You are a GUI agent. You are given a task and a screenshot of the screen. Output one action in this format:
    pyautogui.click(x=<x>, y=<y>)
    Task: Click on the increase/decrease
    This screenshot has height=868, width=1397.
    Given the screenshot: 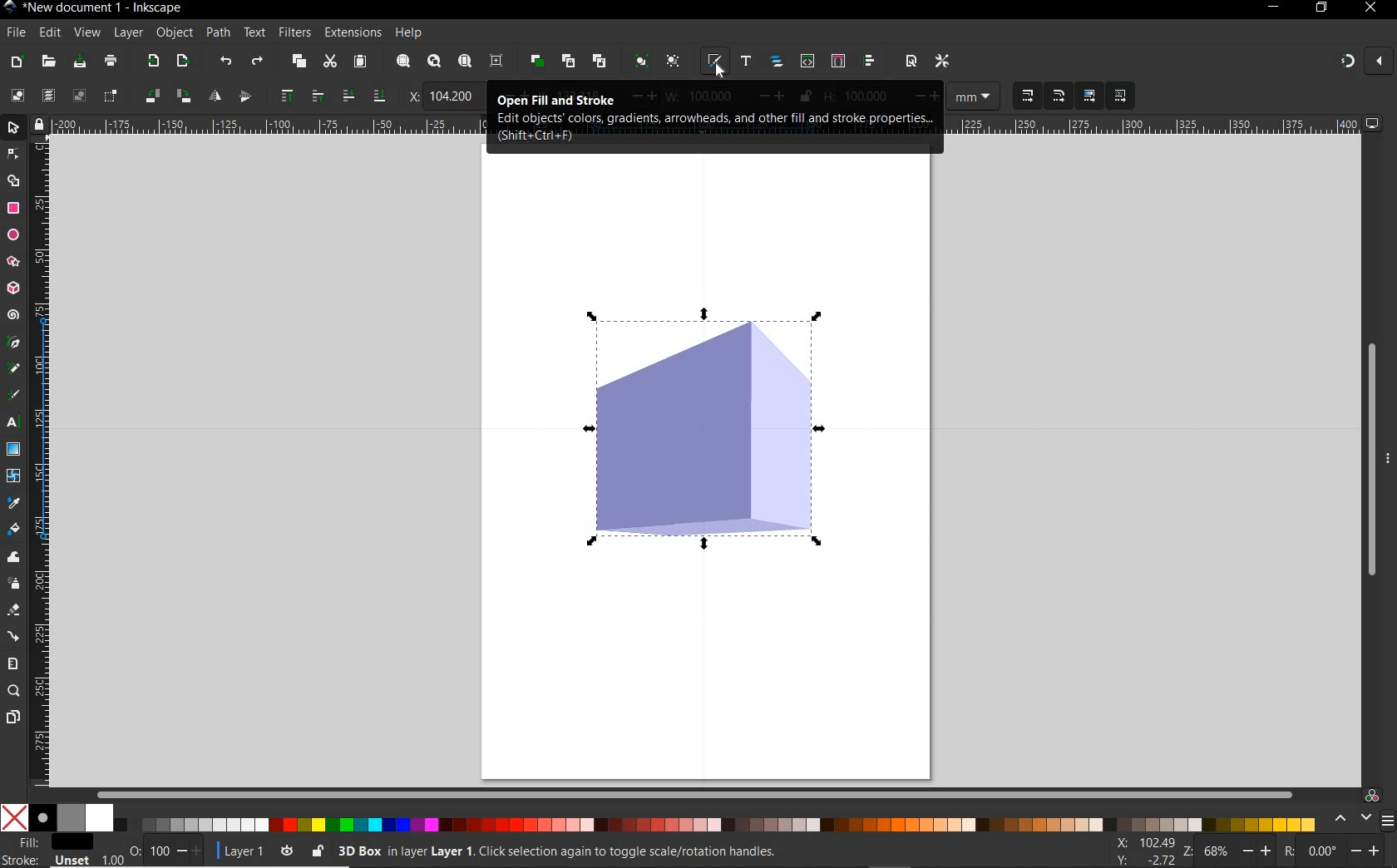 What is the action you would take?
    pyautogui.click(x=1369, y=851)
    